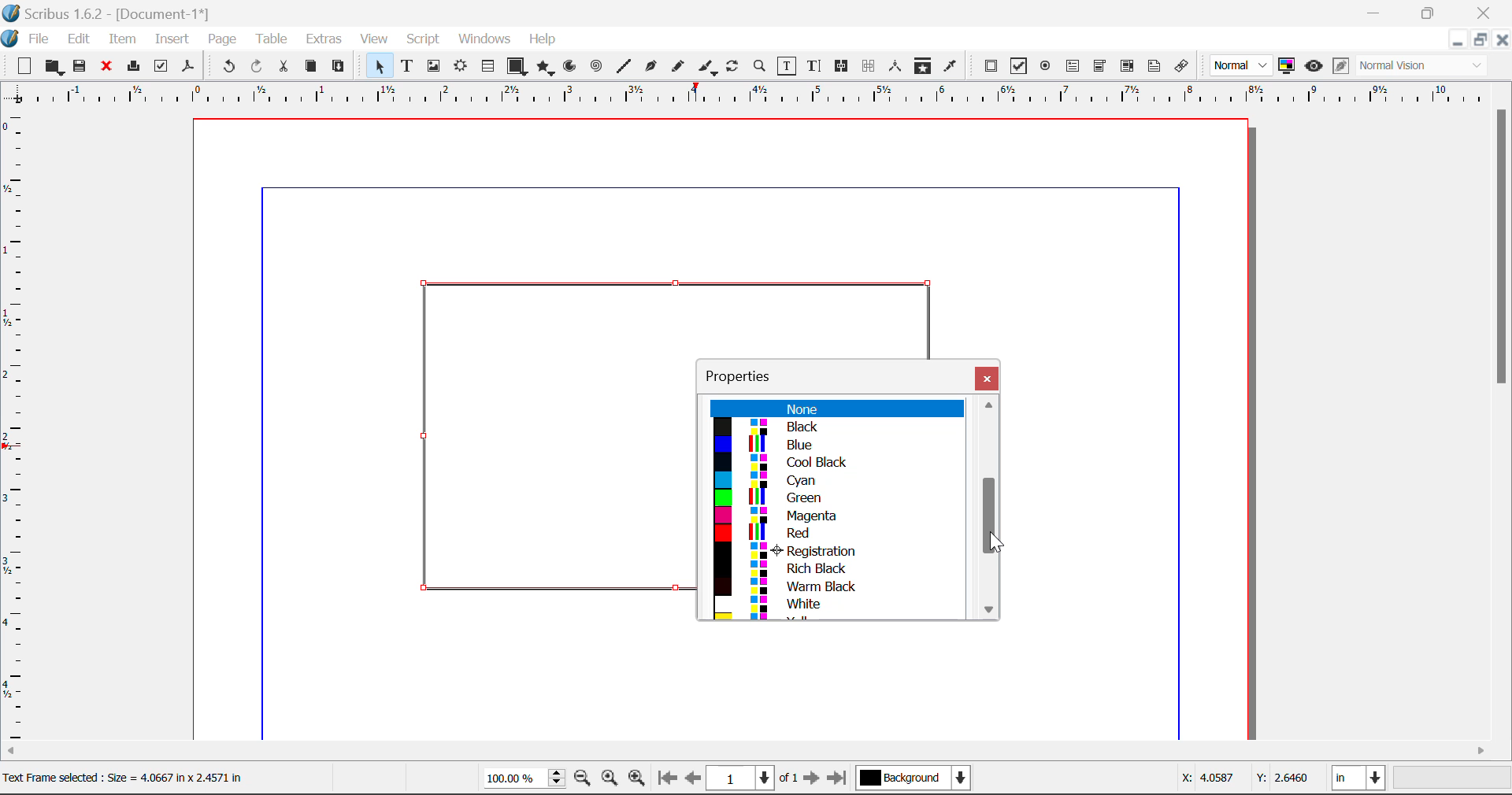 This screenshot has height=795, width=1512. What do you see at coordinates (571, 68) in the screenshot?
I see `Arc` at bounding box center [571, 68].